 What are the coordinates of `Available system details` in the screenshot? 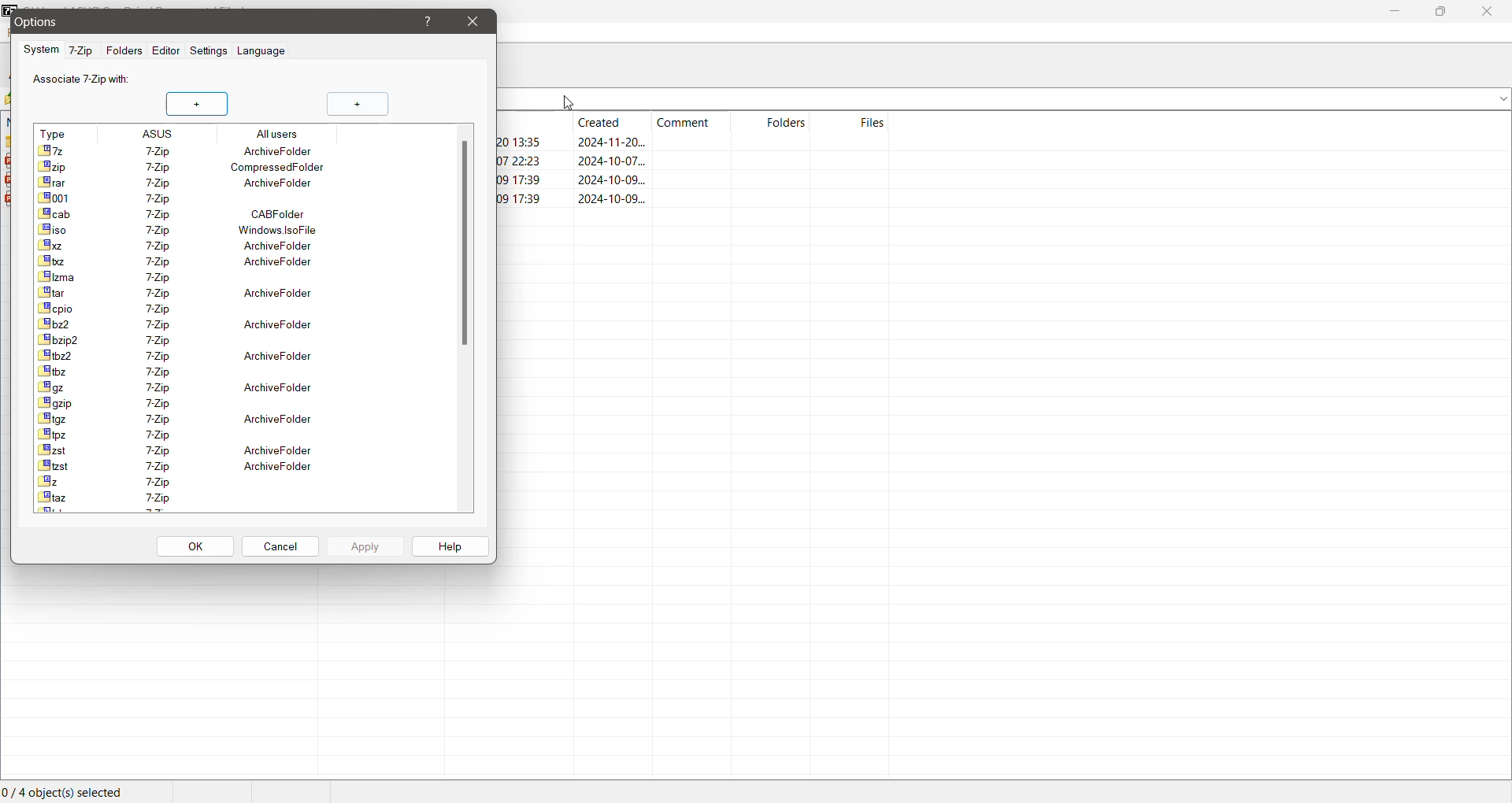 It's located at (178, 277).